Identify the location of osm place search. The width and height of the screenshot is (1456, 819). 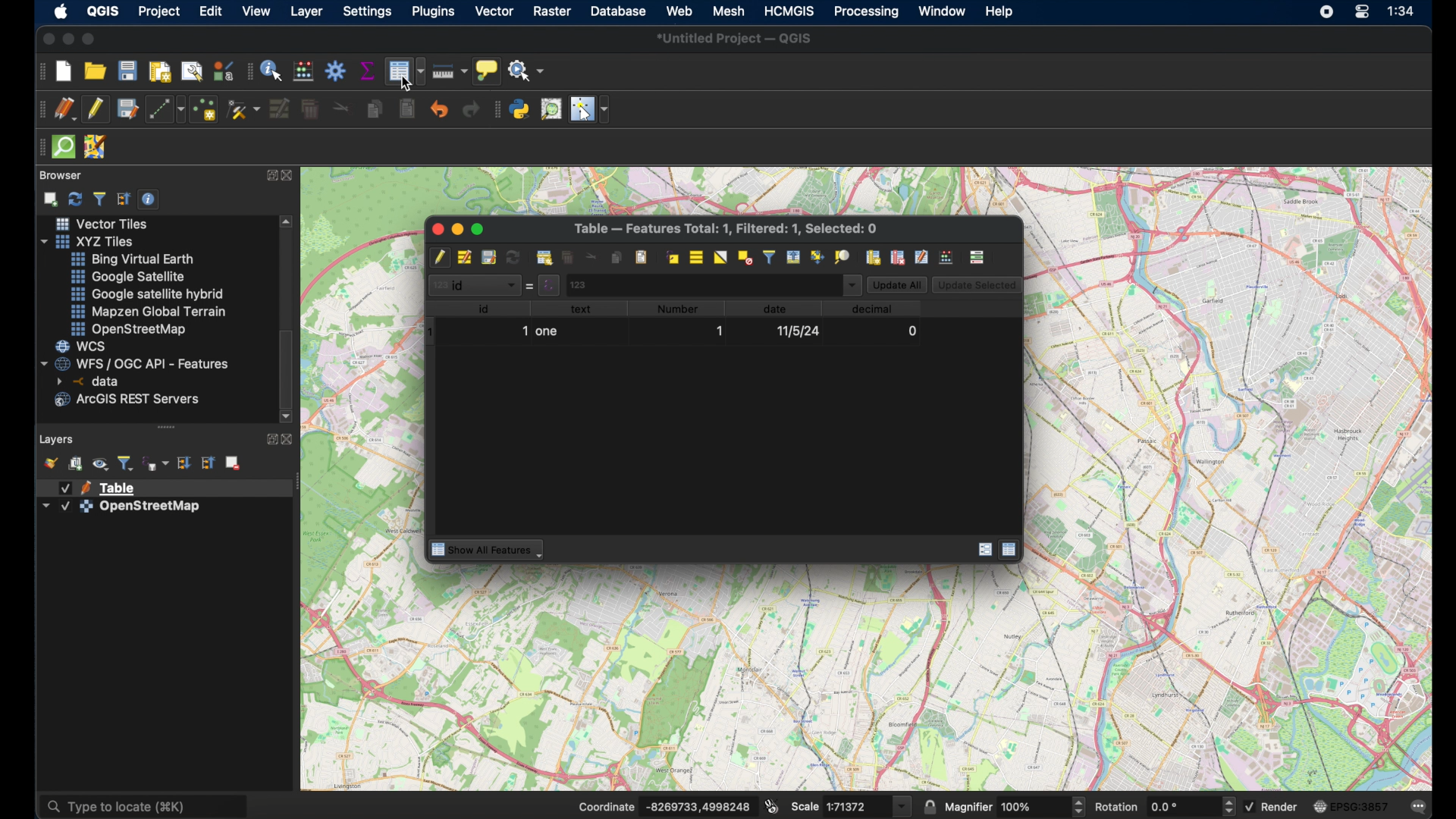
(553, 111).